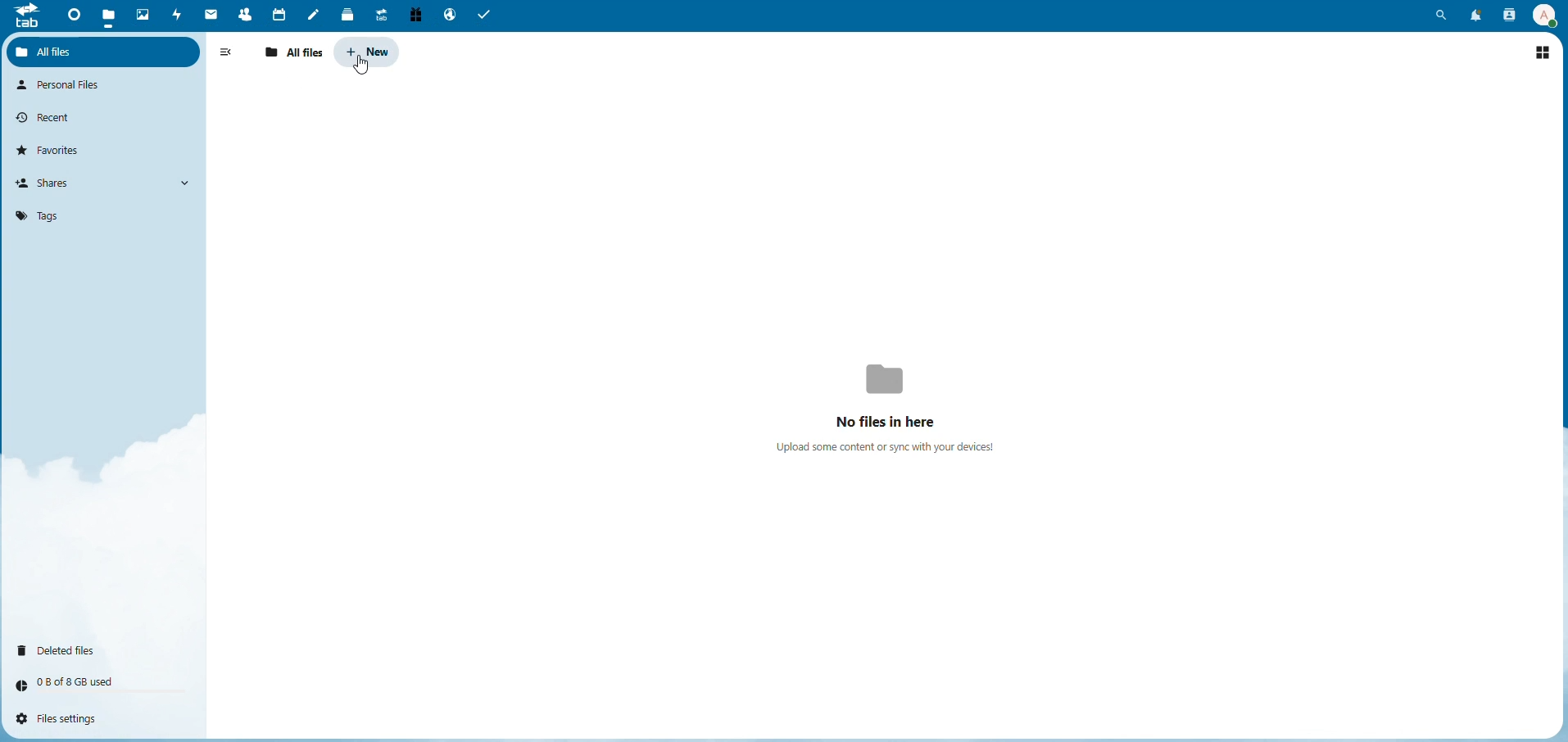  Describe the element at coordinates (278, 13) in the screenshot. I see `Calendar` at that location.